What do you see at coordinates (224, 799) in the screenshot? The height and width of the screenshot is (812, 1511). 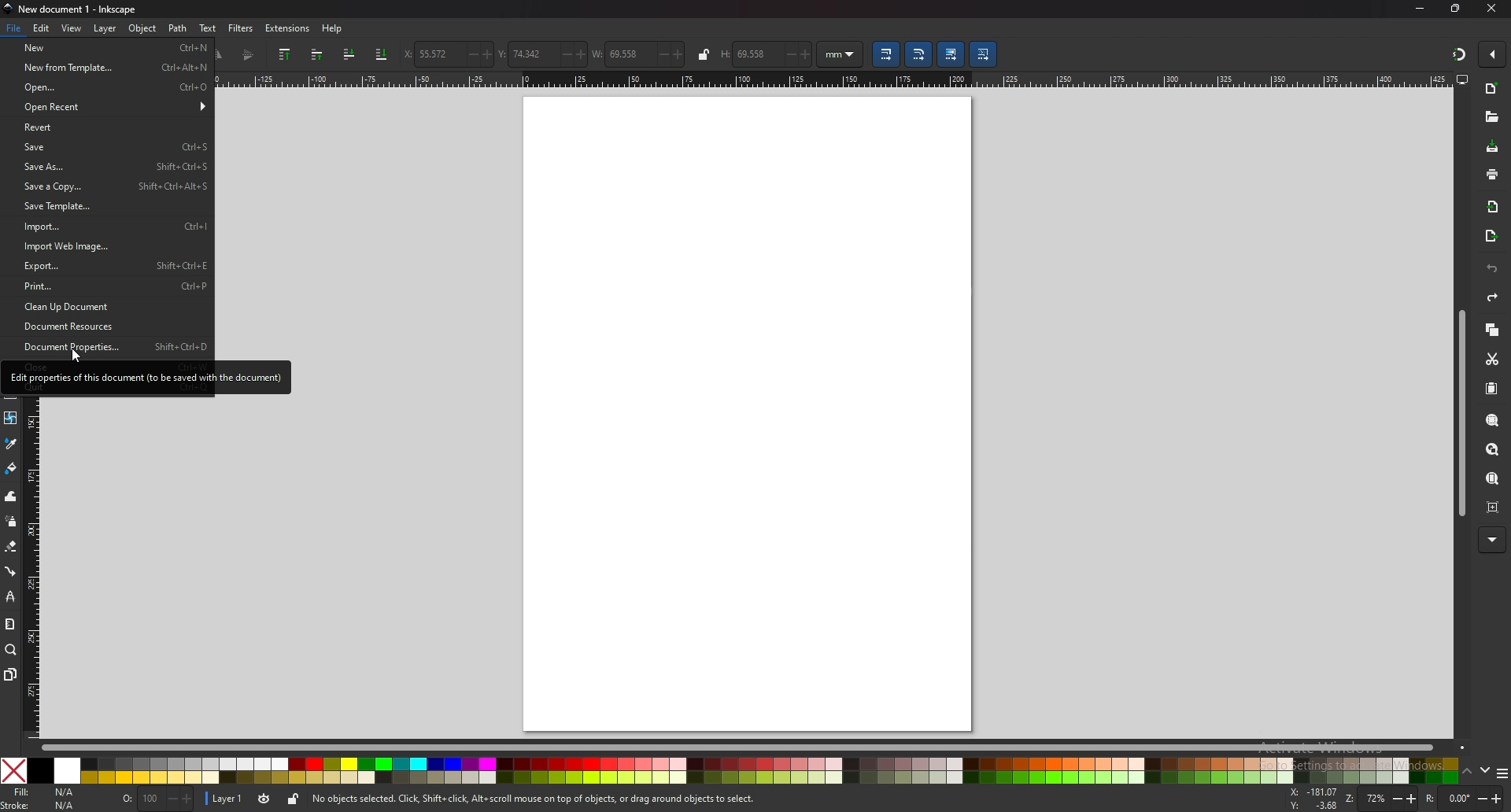 I see `layer 1` at bounding box center [224, 799].